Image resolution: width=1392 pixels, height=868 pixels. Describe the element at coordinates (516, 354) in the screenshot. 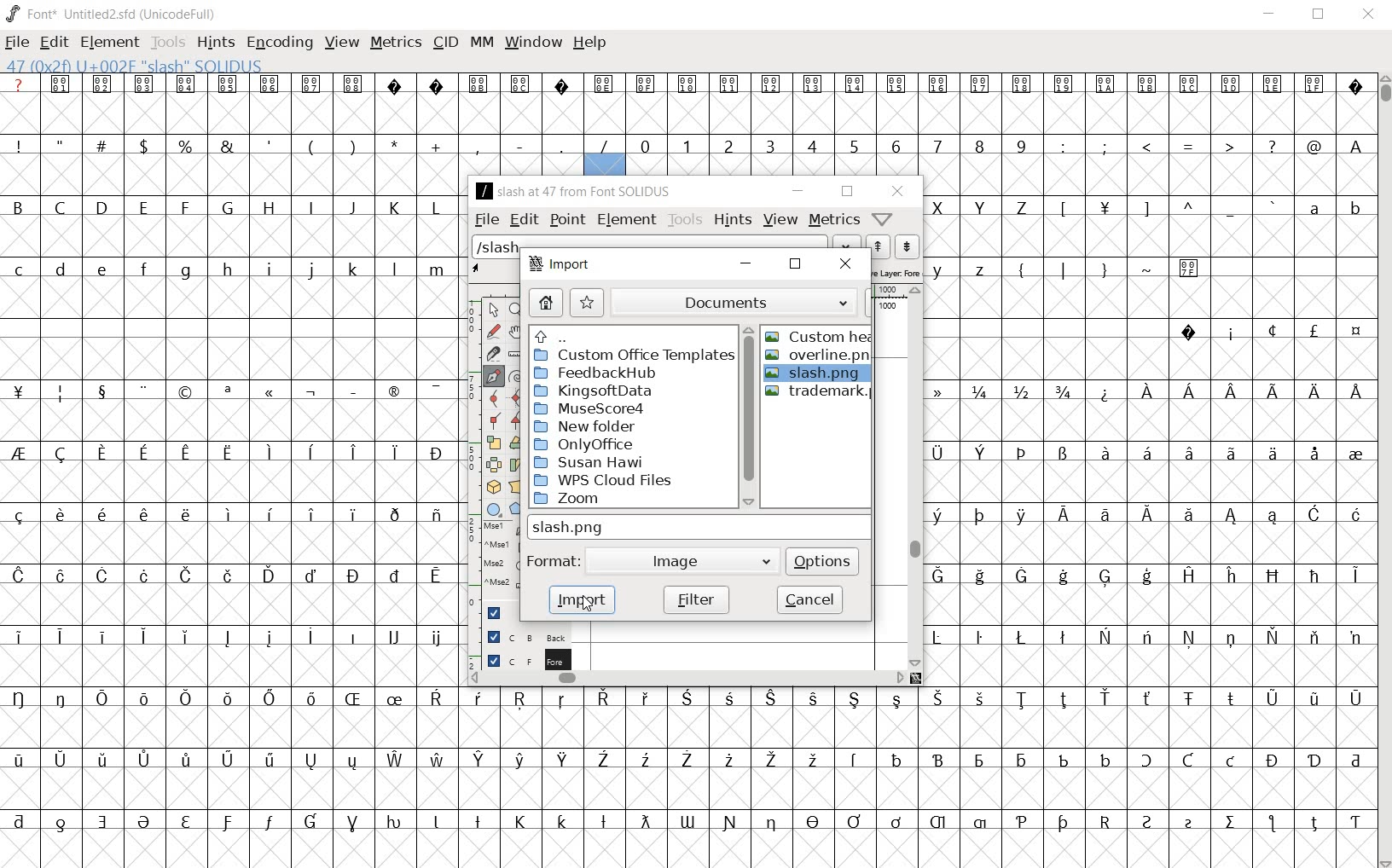

I see `measure a distance, angle between points` at that location.